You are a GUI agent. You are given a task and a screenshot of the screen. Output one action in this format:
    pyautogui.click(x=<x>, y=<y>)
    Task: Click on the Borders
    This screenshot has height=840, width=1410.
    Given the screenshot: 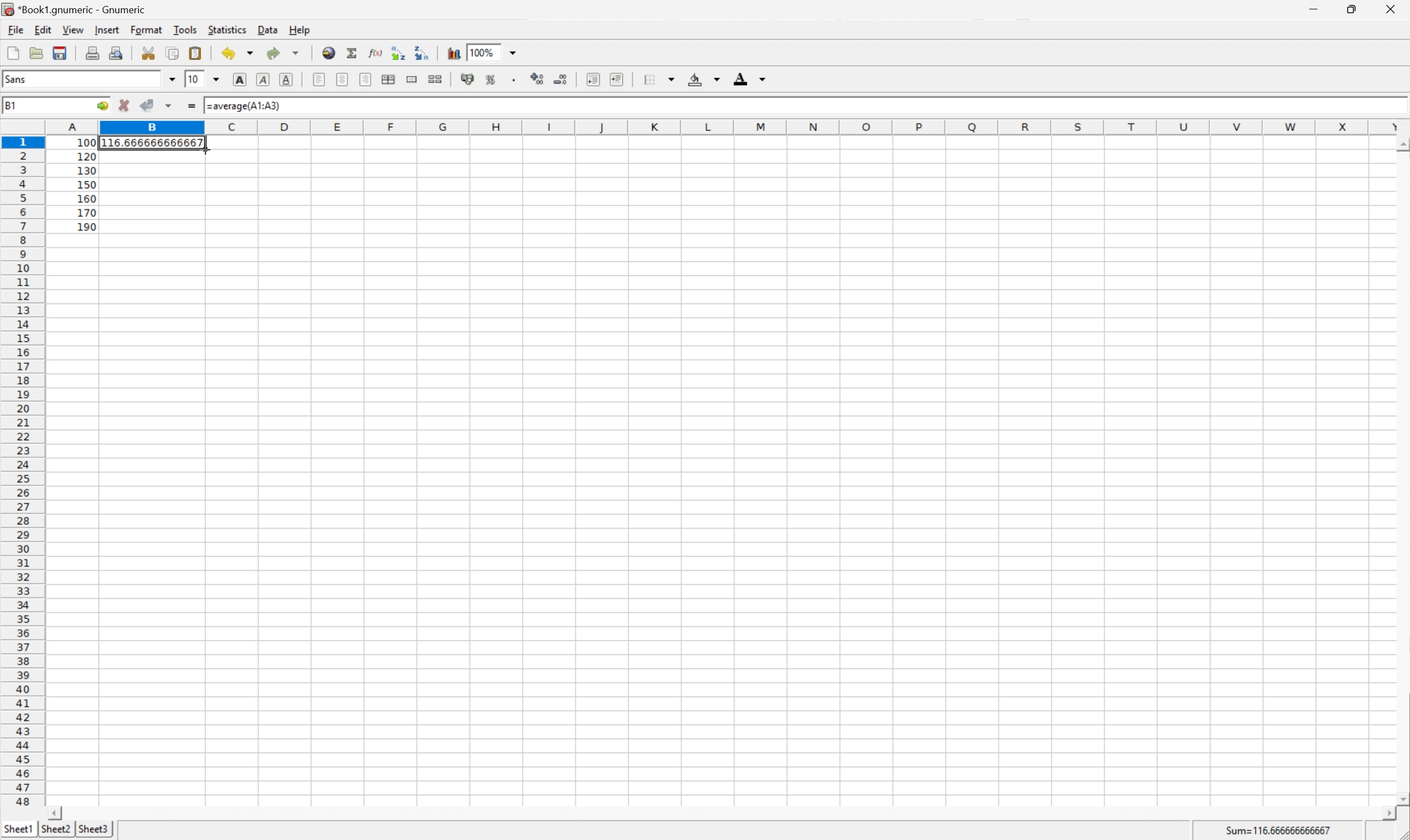 What is the action you would take?
    pyautogui.click(x=657, y=79)
    